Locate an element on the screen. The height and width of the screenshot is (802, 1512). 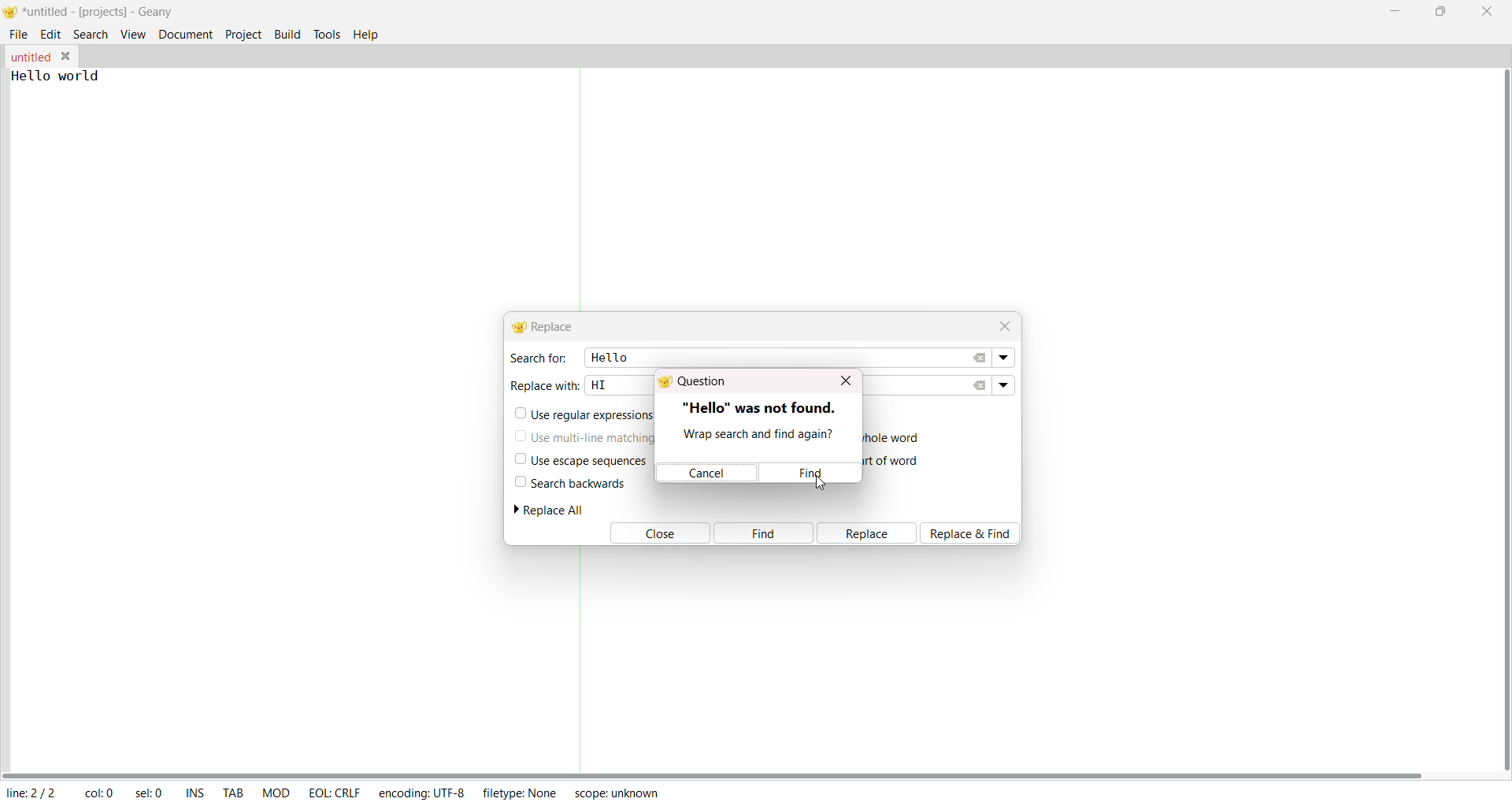
tab name is located at coordinates (30, 57).